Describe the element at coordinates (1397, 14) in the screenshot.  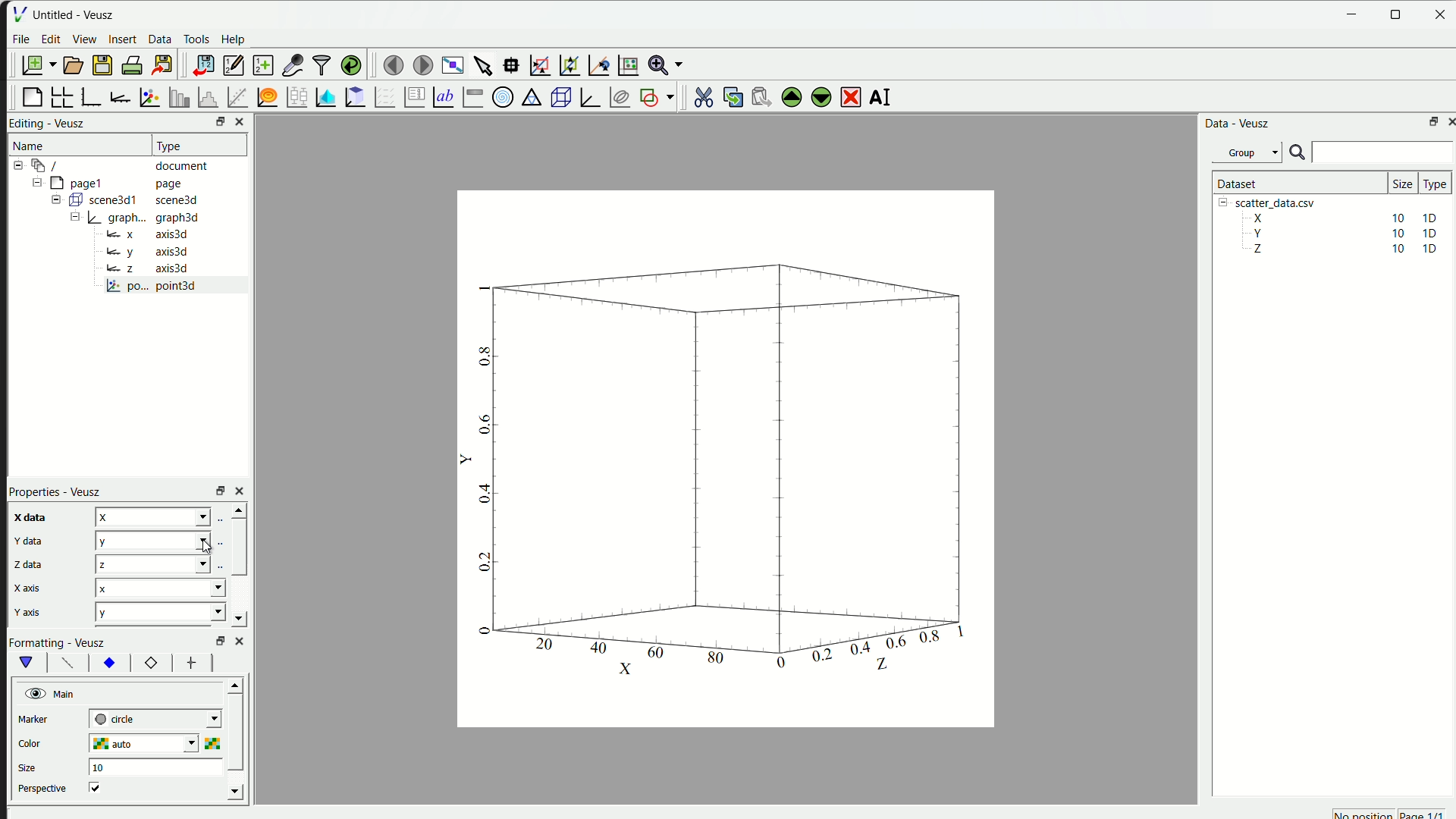
I see `resize` at that location.